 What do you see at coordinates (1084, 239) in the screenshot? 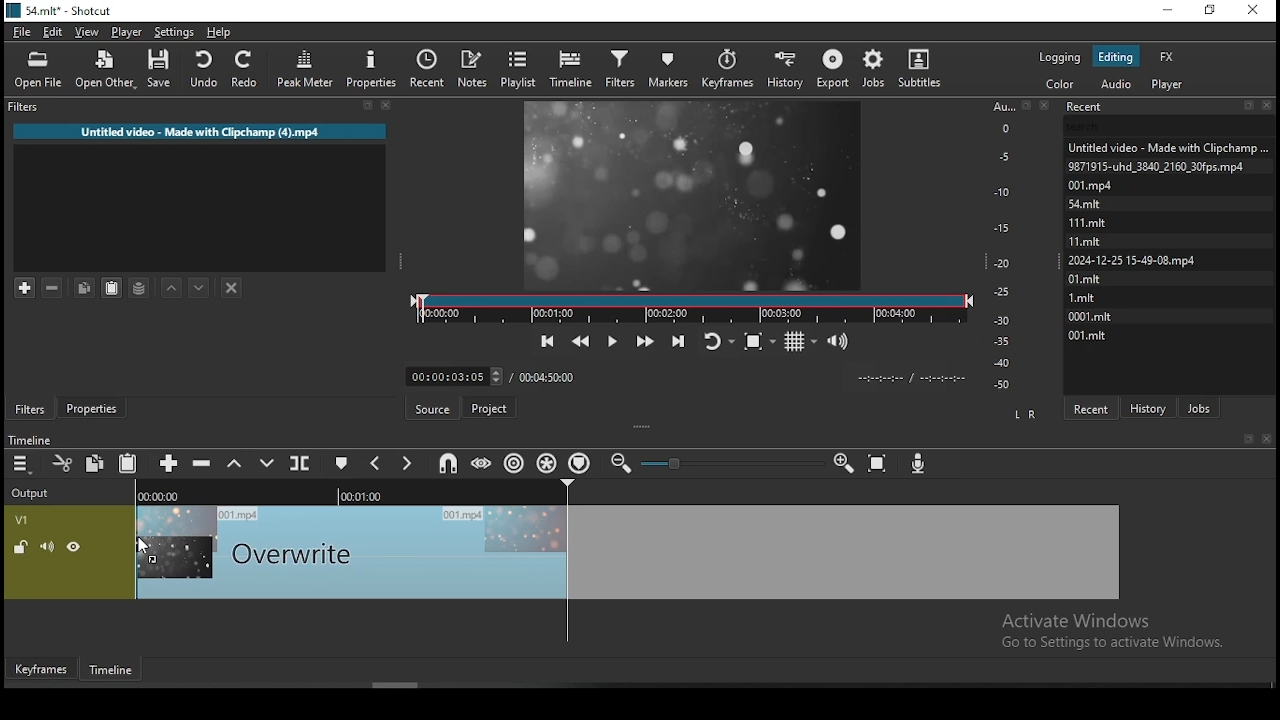
I see `files` at bounding box center [1084, 239].